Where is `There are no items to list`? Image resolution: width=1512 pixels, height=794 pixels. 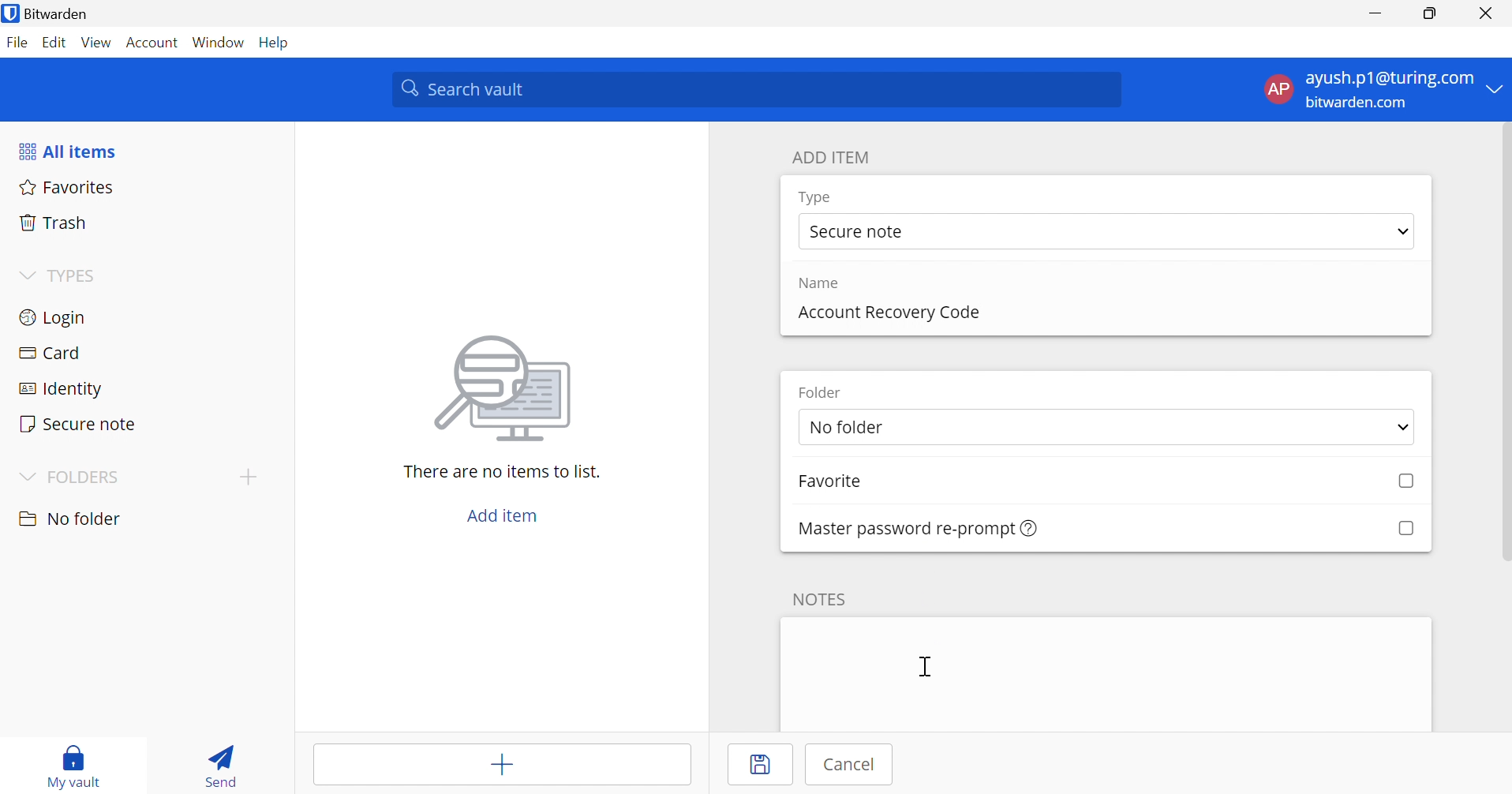
There are no items to list is located at coordinates (501, 472).